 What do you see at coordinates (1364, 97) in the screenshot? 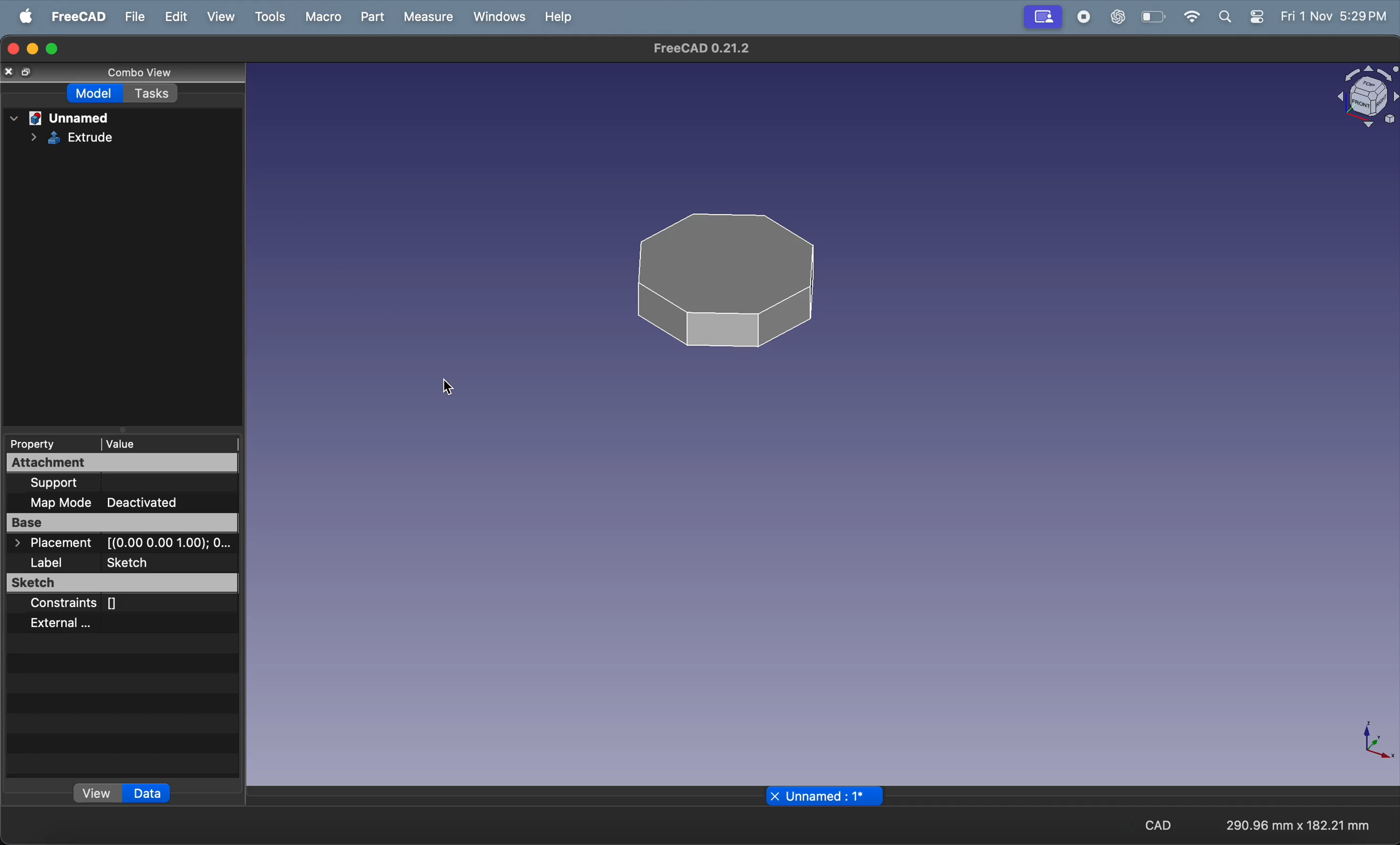
I see `vlock view` at bounding box center [1364, 97].